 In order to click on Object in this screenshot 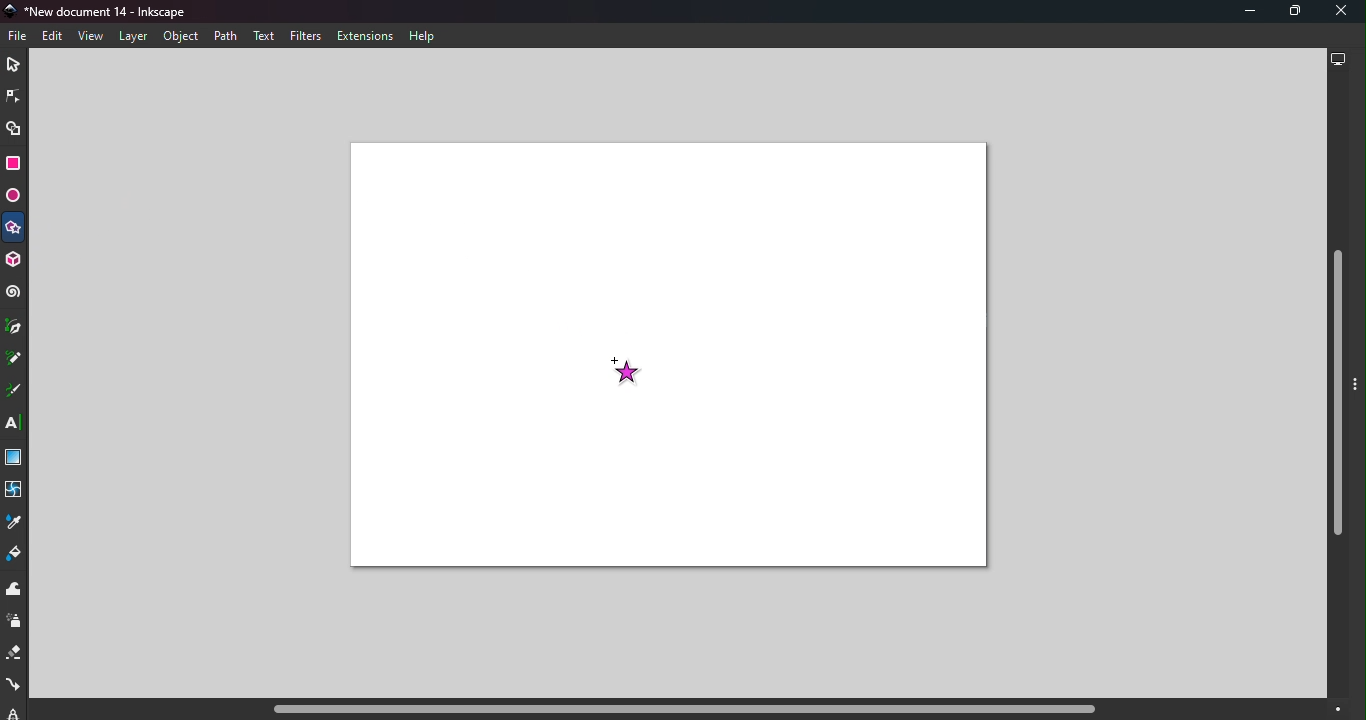, I will do `click(180, 37)`.